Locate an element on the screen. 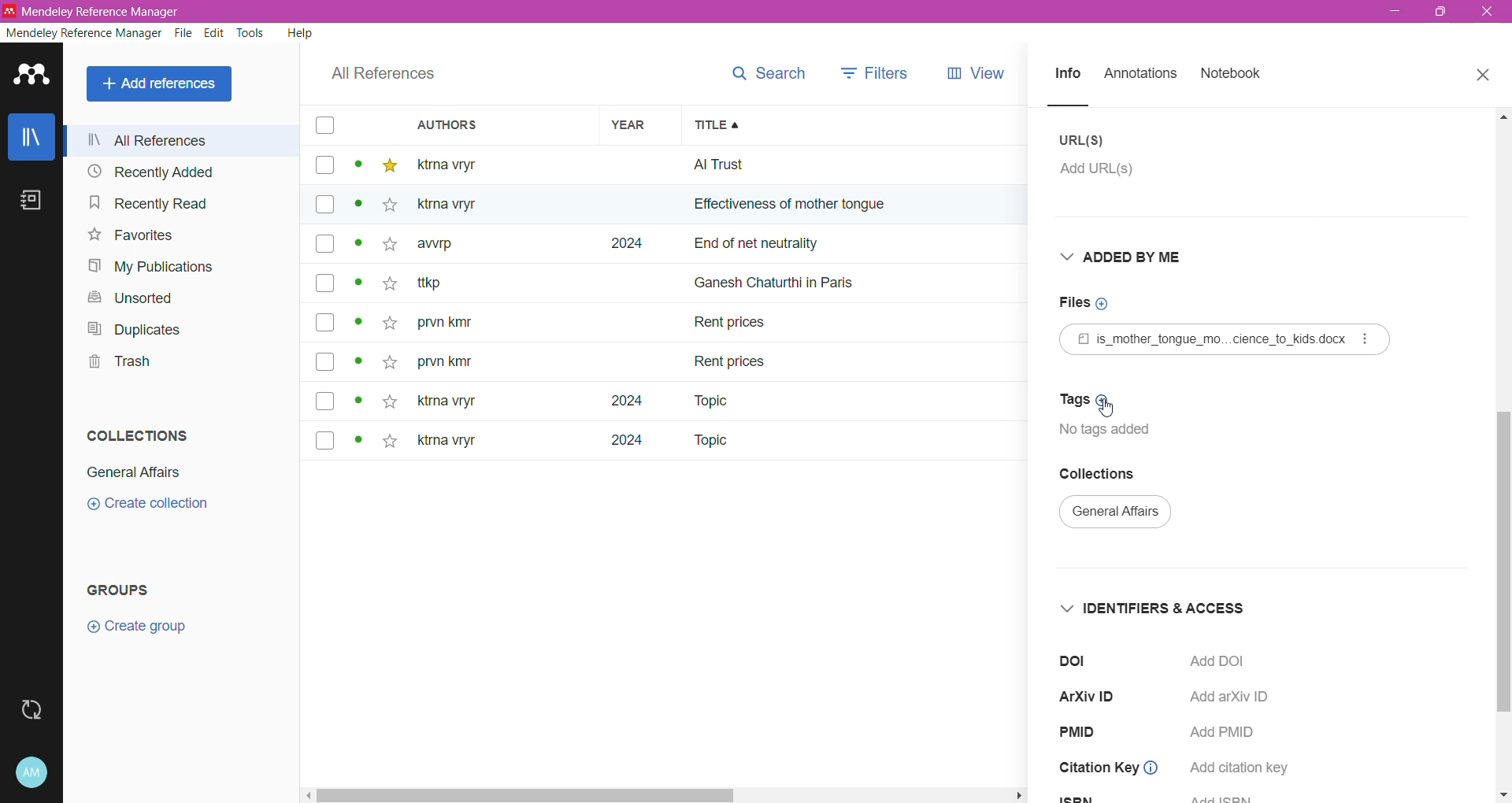  ktna vryt  is located at coordinates (443, 402).